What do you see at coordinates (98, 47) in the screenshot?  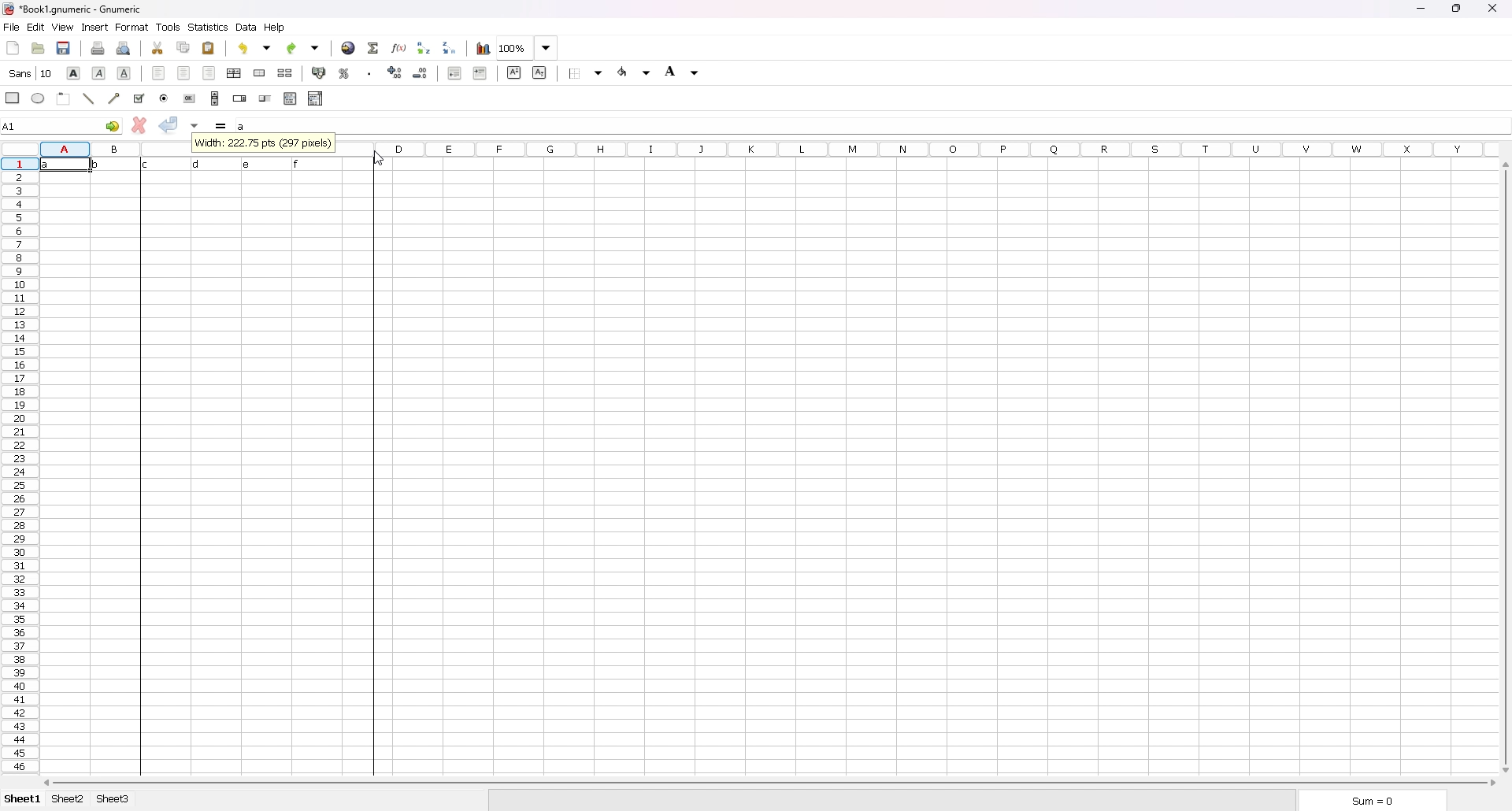 I see `print` at bounding box center [98, 47].